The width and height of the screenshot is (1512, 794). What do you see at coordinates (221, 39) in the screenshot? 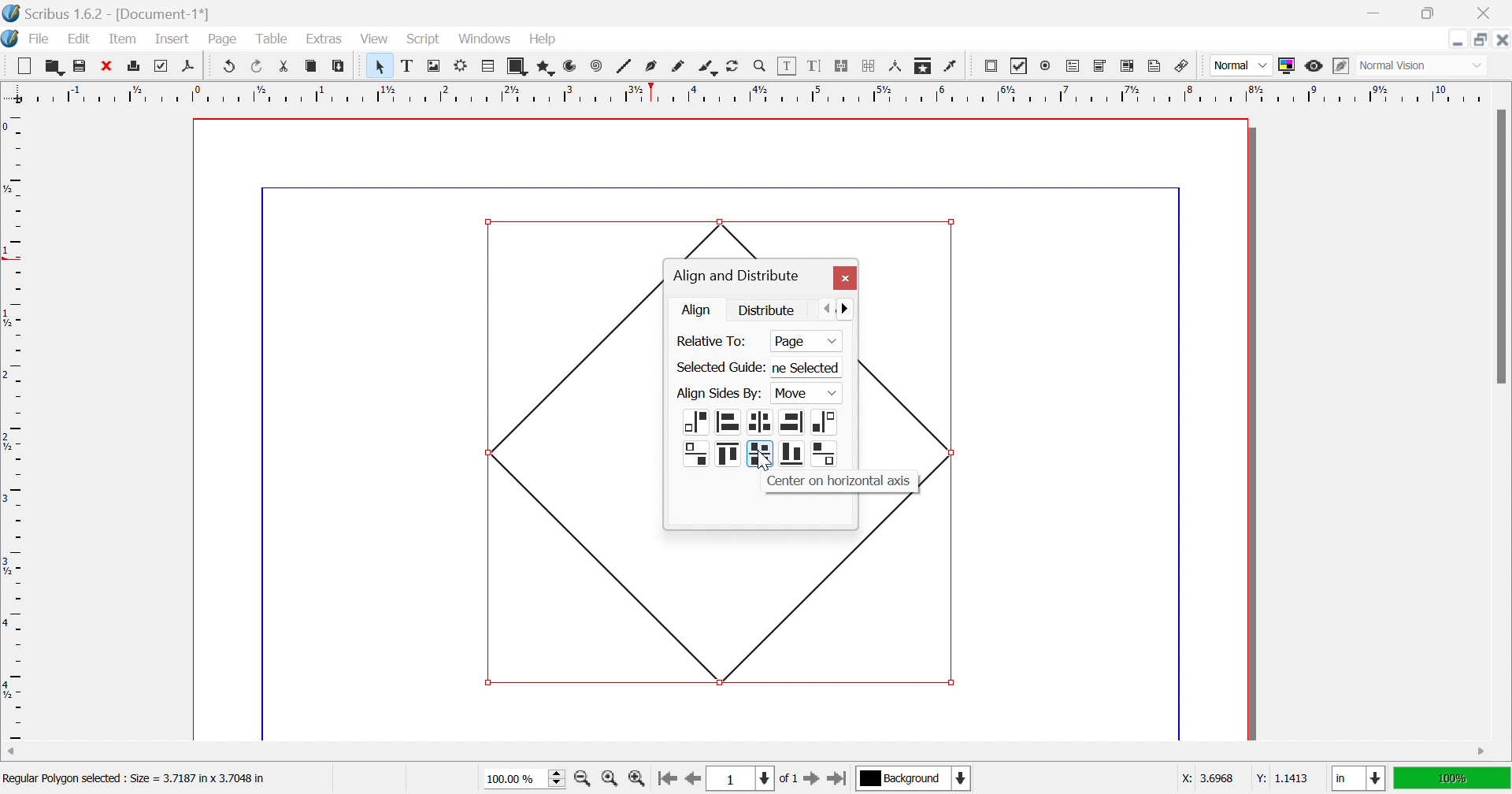
I see `Page` at bounding box center [221, 39].